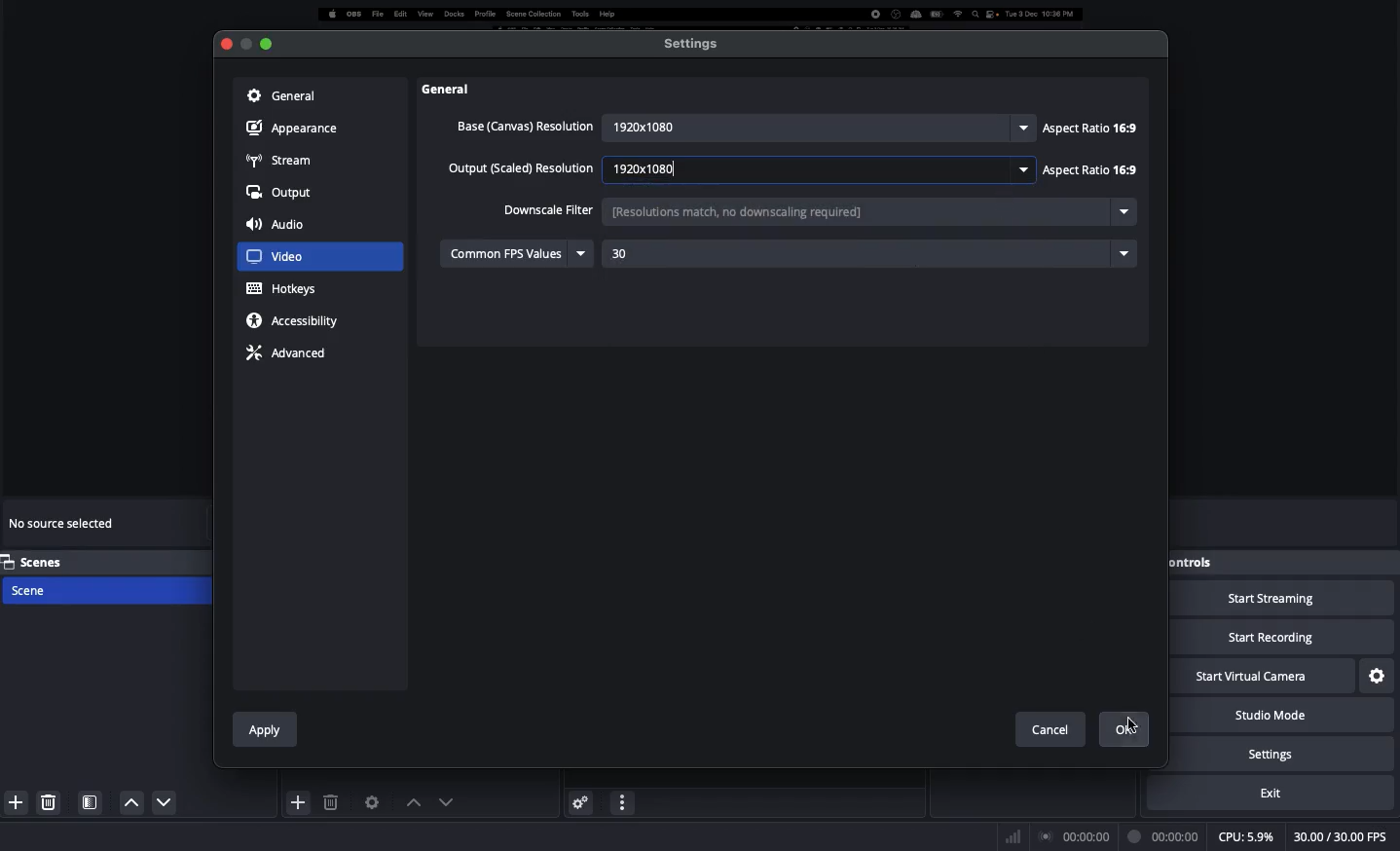 This screenshot has width=1400, height=851. What do you see at coordinates (1264, 678) in the screenshot?
I see `Start virtual camera` at bounding box center [1264, 678].